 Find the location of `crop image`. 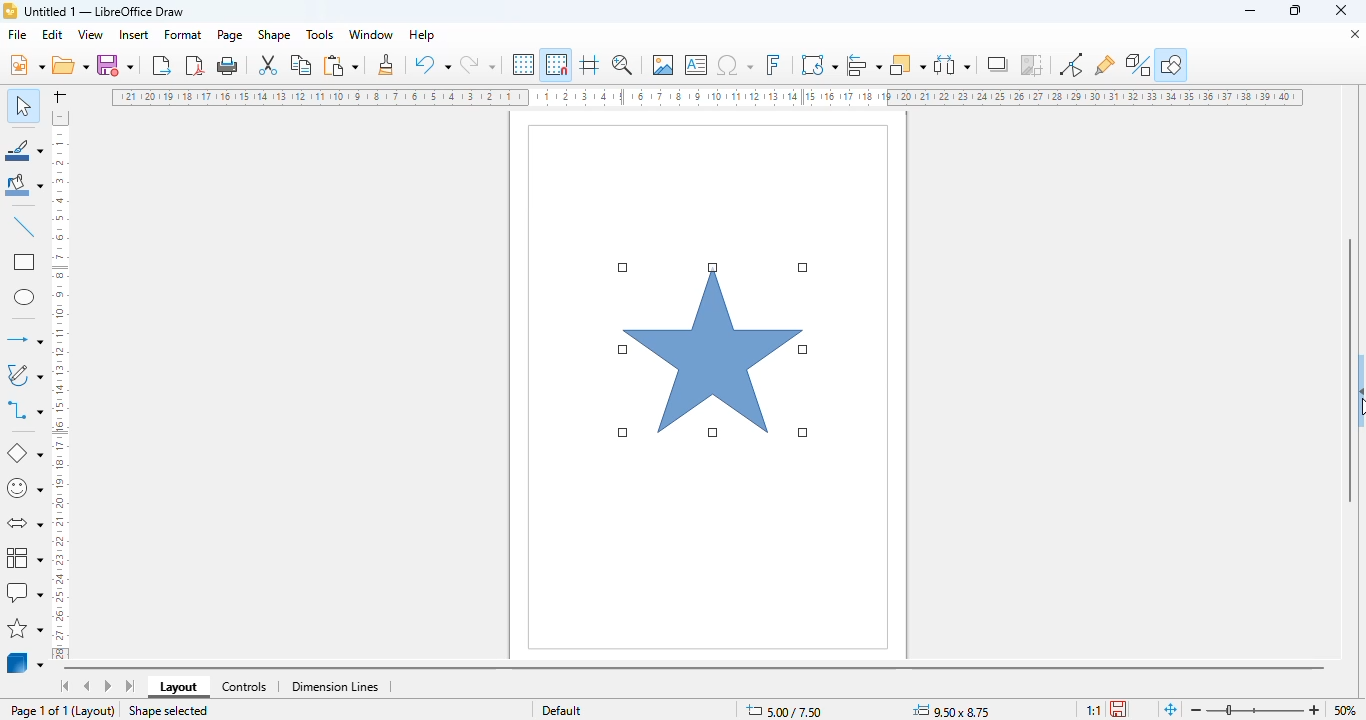

crop image is located at coordinates (1032, 64).